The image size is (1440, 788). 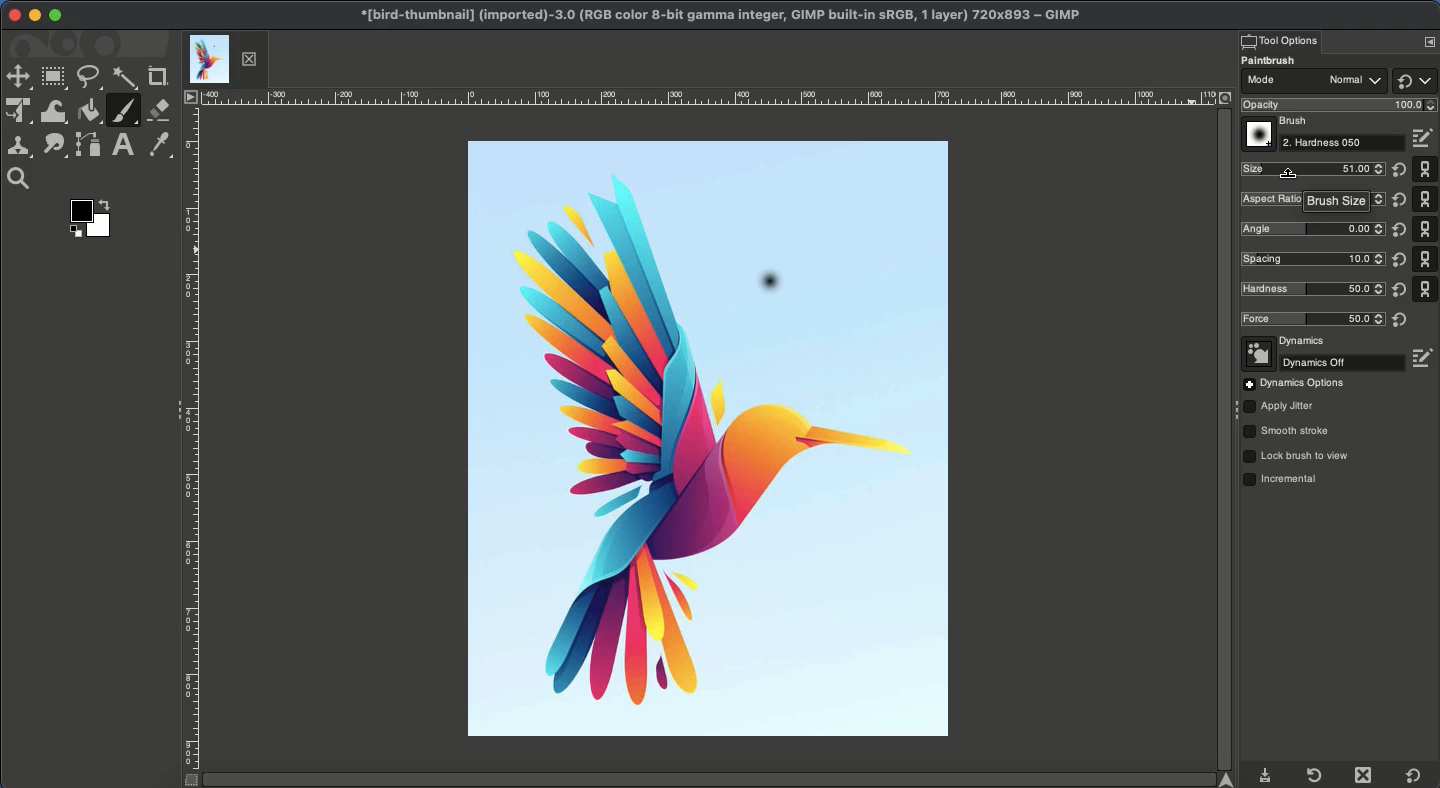 I want to click on Path, so click(x=89, y=146).